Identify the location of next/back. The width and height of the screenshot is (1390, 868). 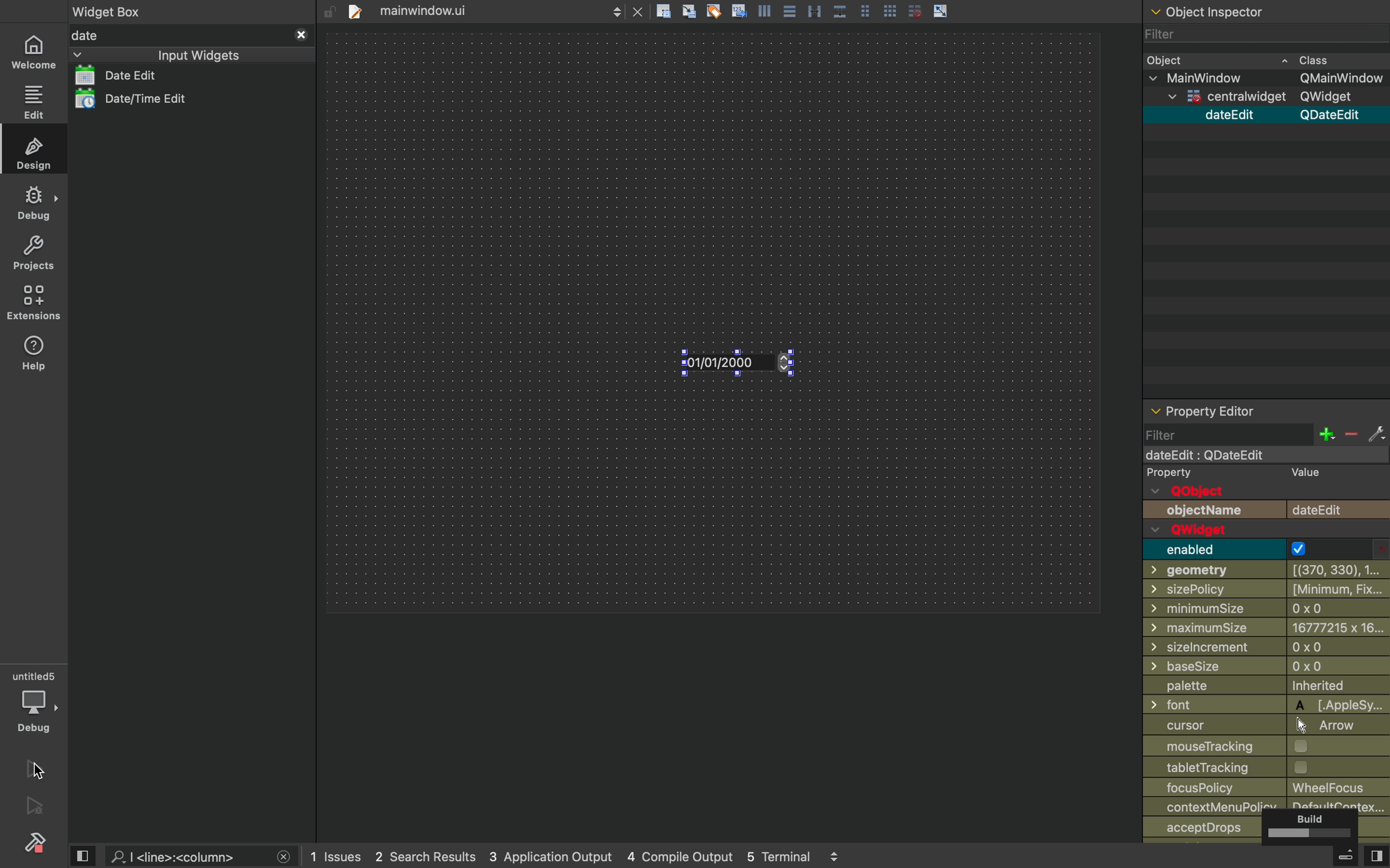
(616, 10).